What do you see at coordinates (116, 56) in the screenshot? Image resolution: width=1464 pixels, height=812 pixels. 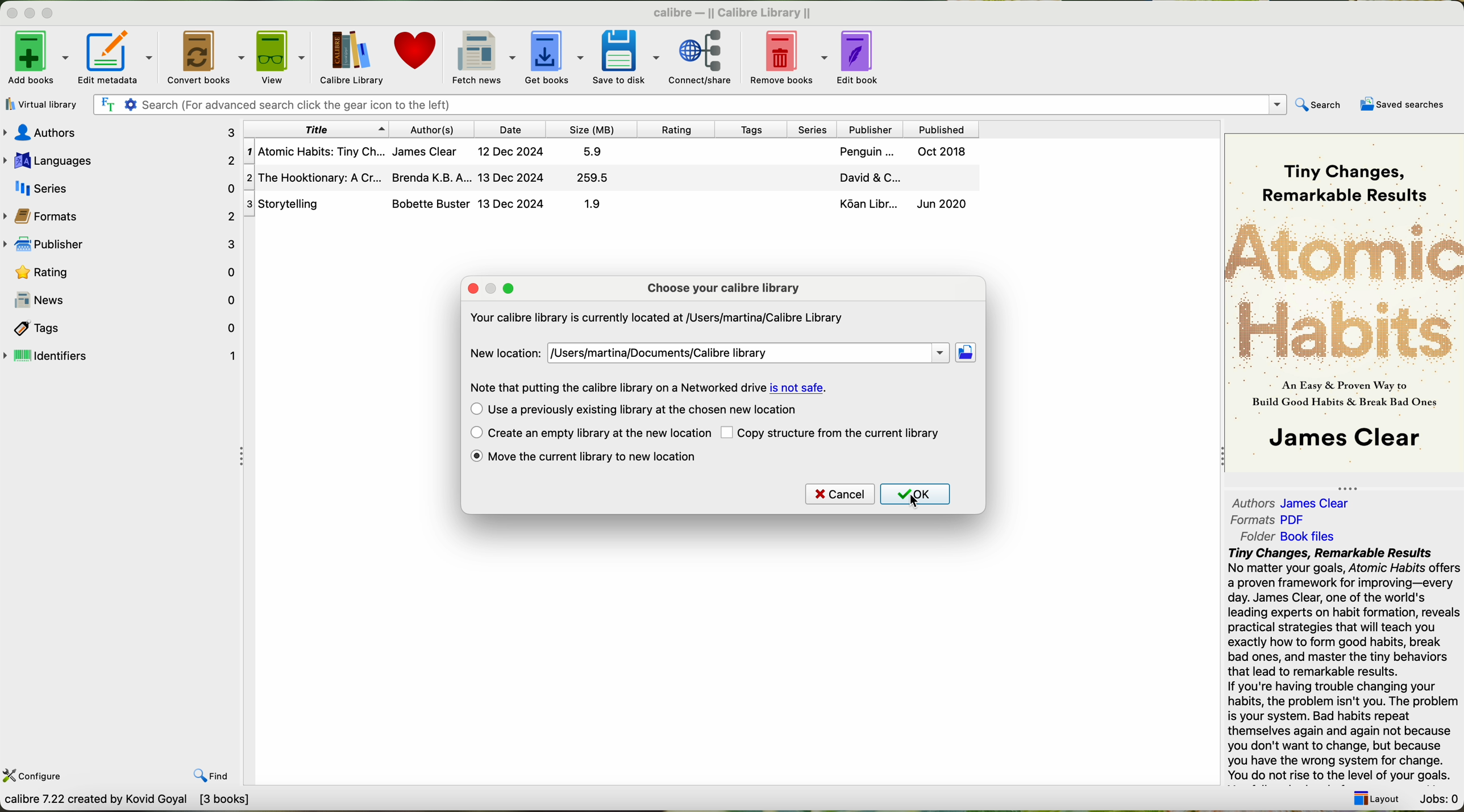 I see `edit metadata` at bounding box center [116, 56].